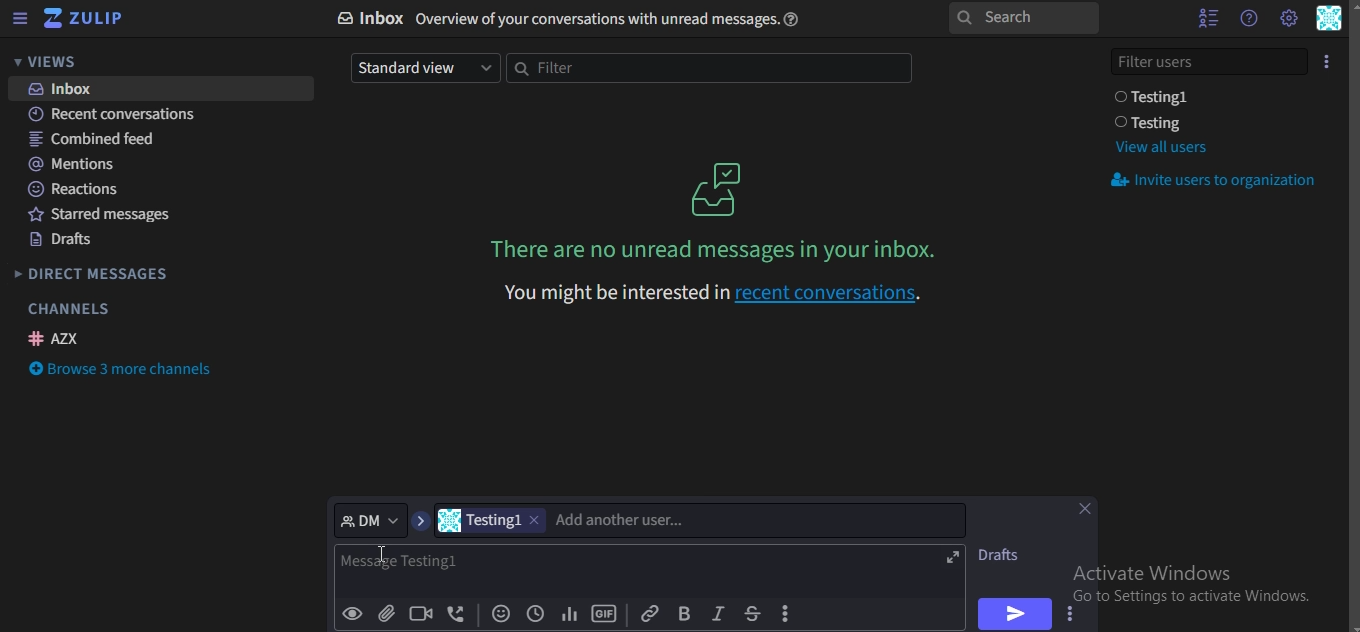  I want to click on expand, so click(953, 558).